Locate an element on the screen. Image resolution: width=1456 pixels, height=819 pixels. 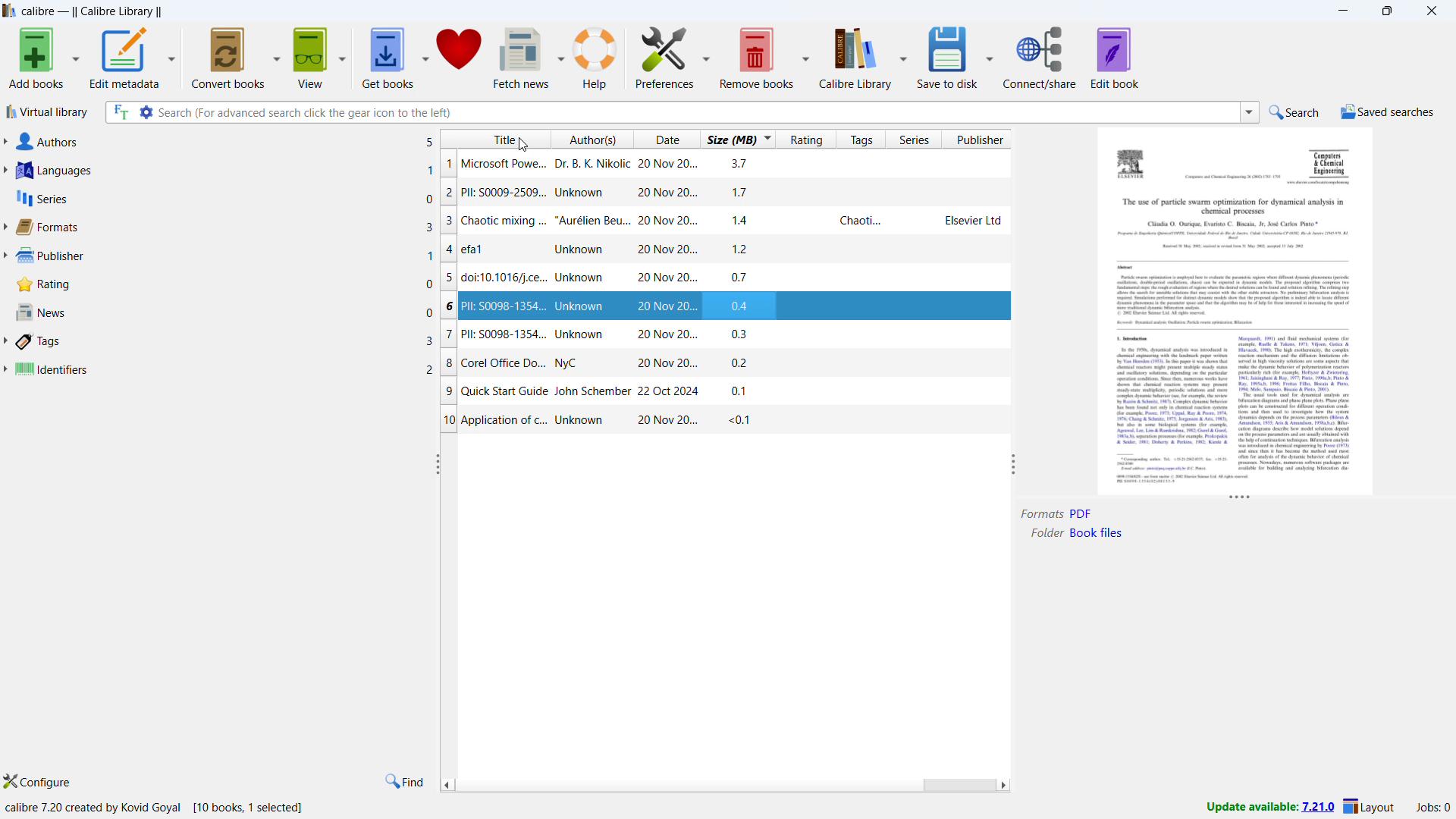
formats is located at coordinates (224, 227).